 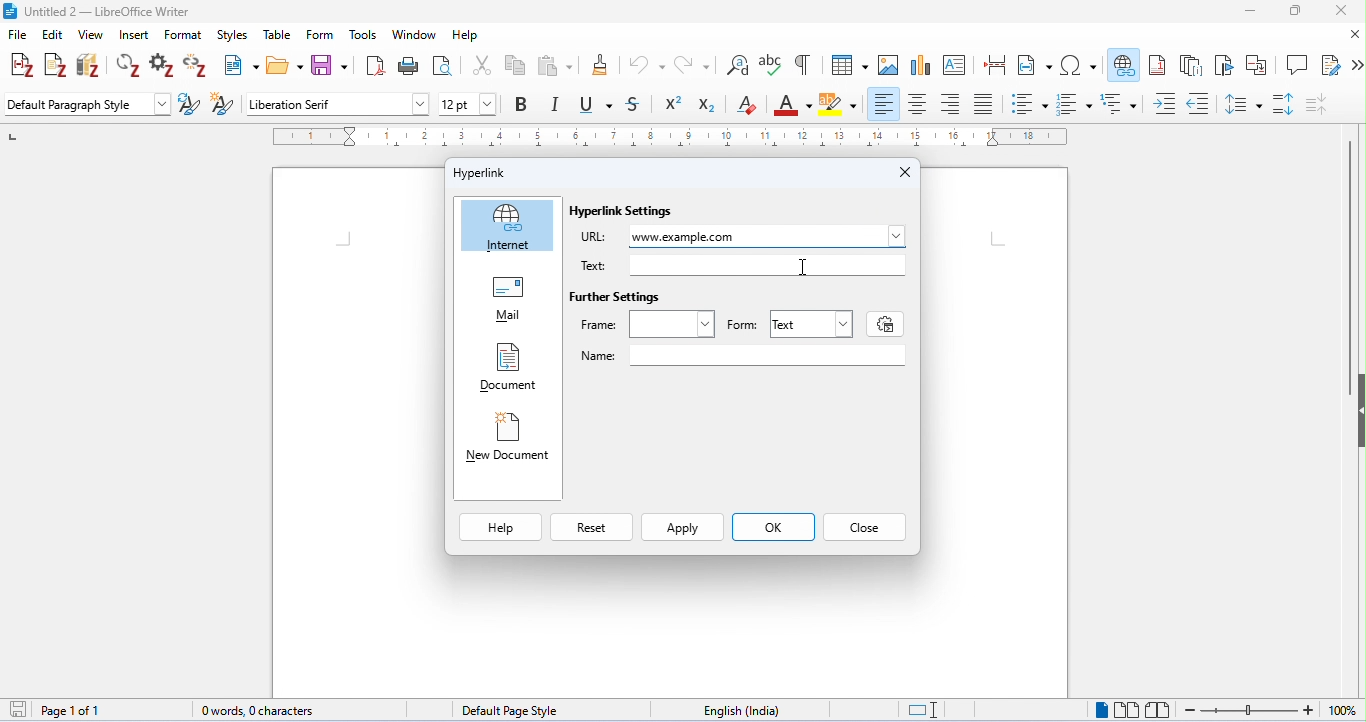 I want to click on format, so click(x=185, y=35).